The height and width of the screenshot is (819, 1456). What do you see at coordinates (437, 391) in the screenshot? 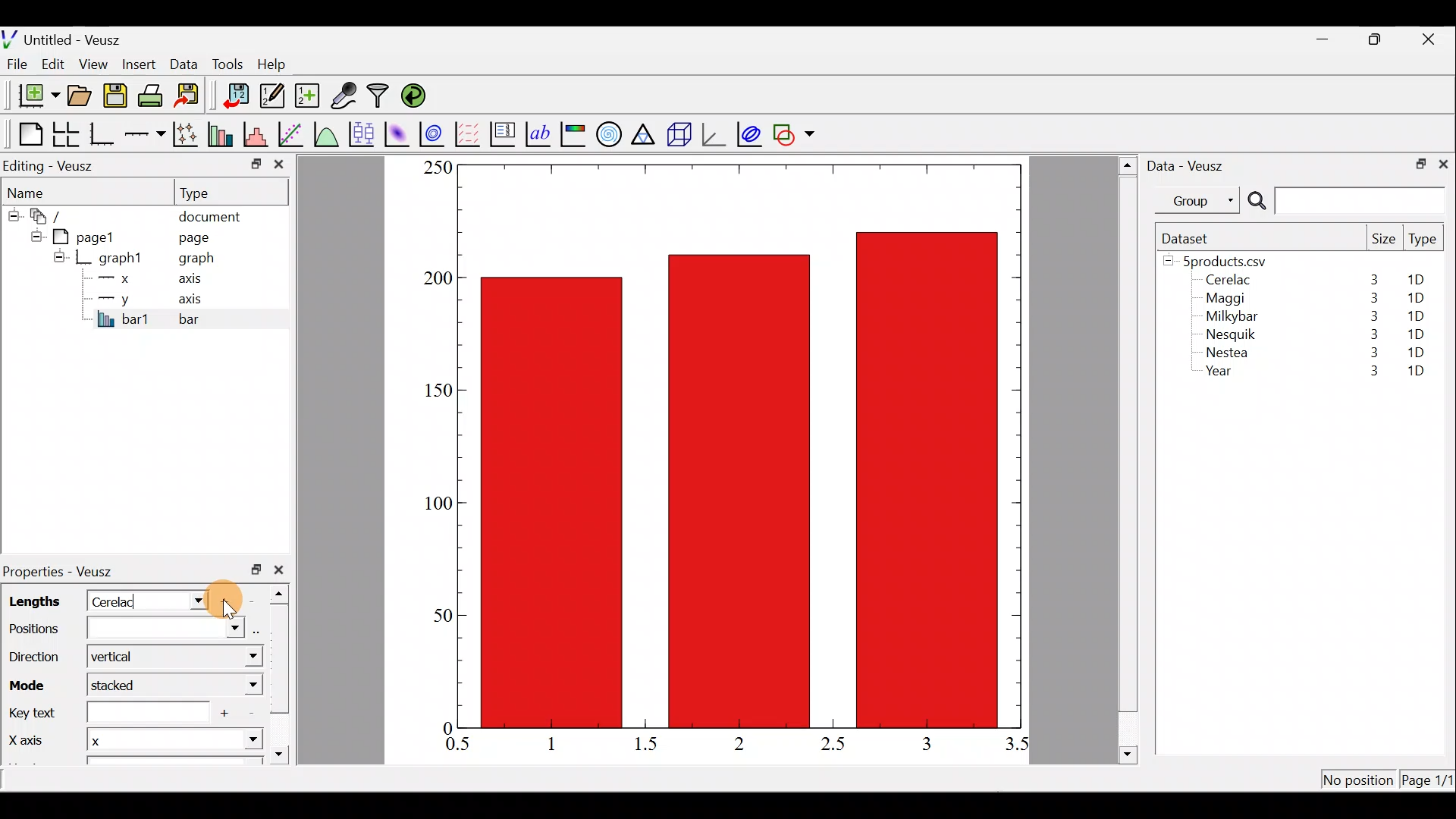
I see `150` at bounding box center [437, 391].